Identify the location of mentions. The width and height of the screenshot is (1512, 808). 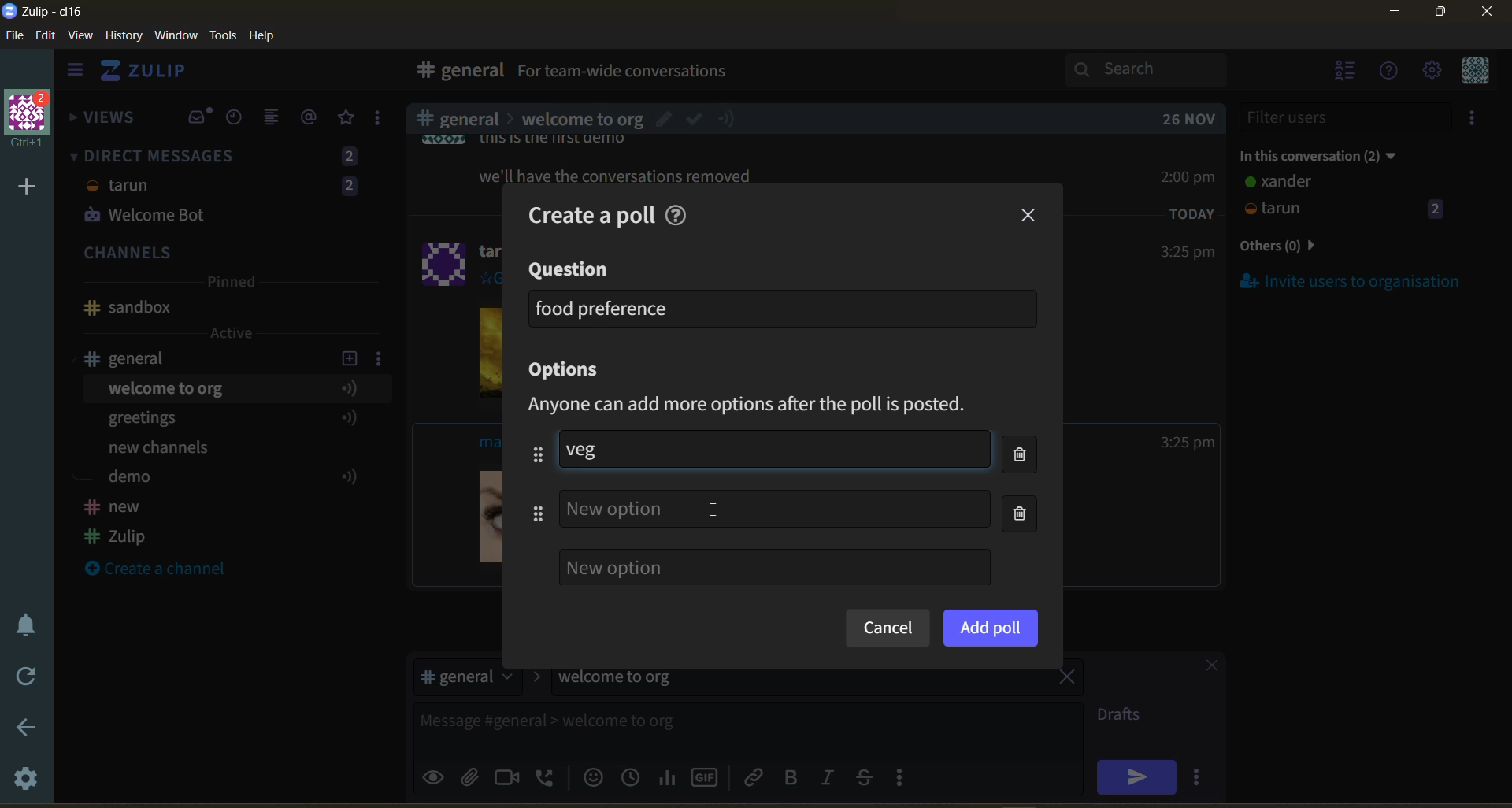
(312, 117).